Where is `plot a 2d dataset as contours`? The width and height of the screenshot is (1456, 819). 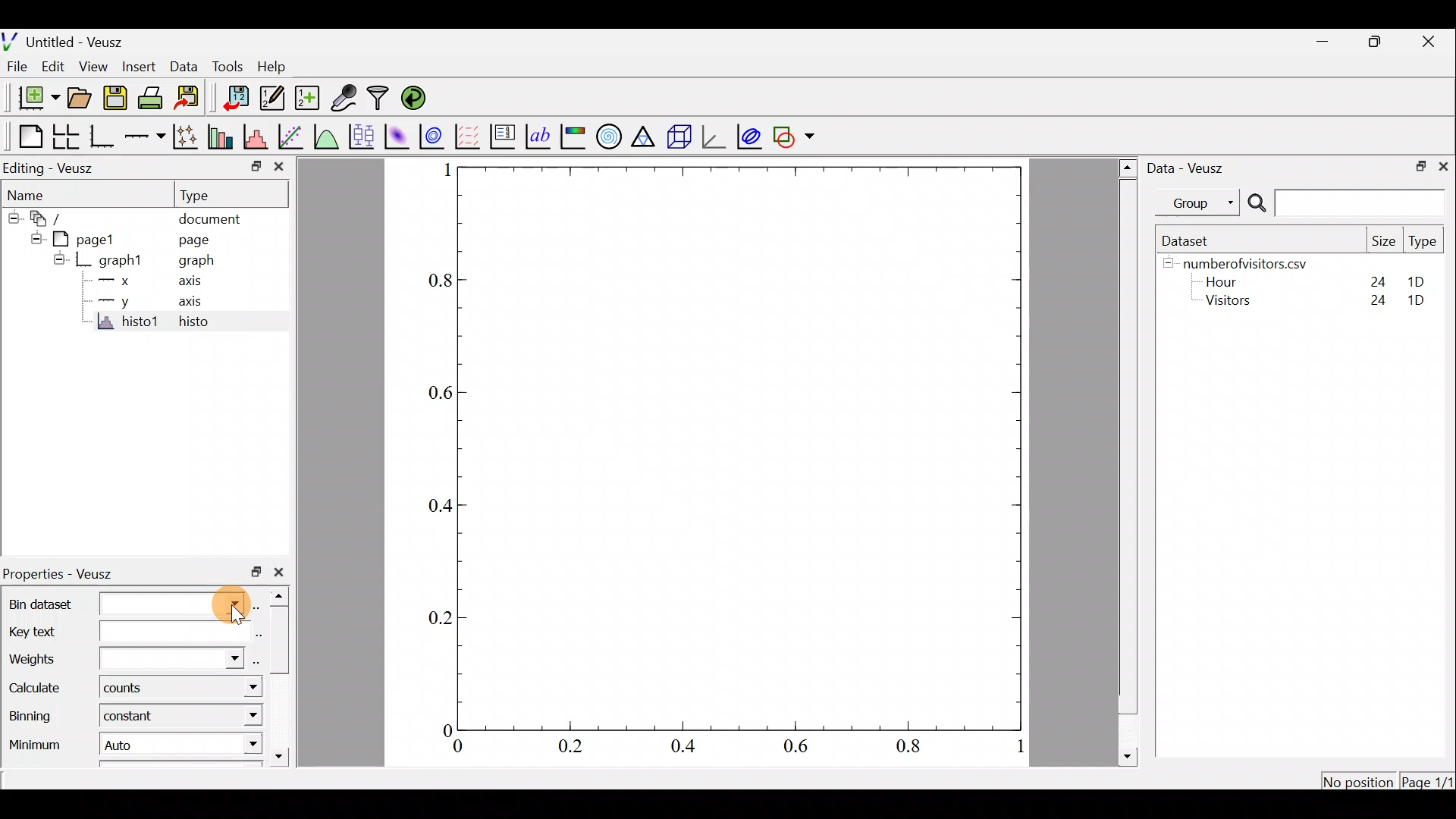 plot a 2d dataset as contours is located at coordinates (431, 136).